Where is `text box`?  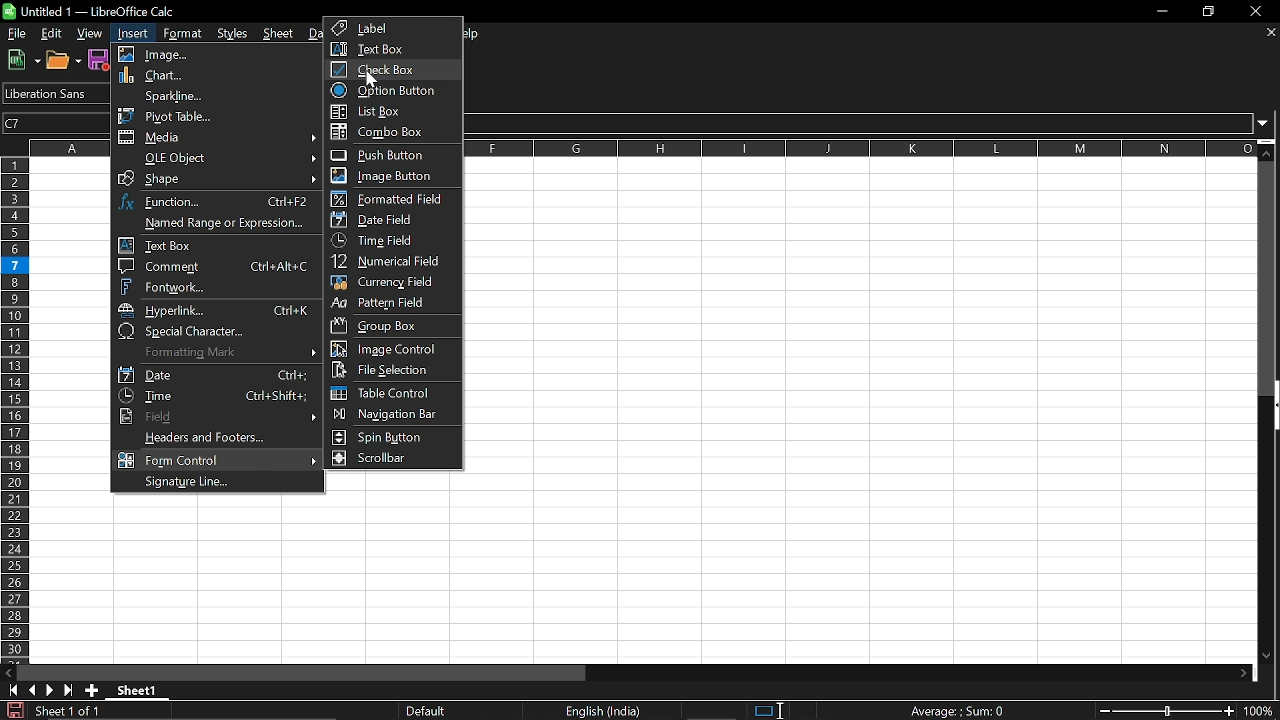
text box is located at coordinates (215, 245).